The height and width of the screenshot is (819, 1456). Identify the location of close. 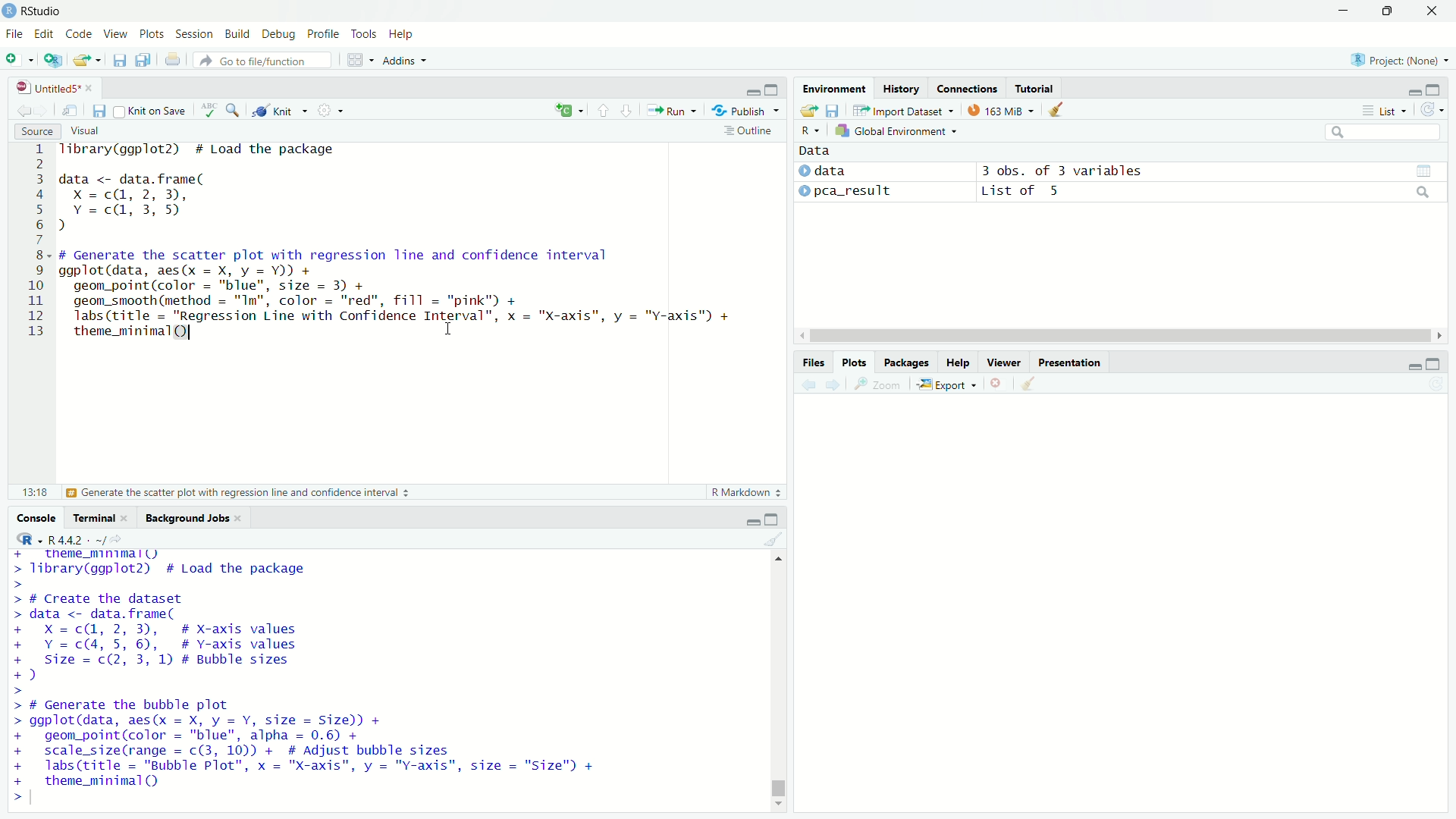
(127, 519).